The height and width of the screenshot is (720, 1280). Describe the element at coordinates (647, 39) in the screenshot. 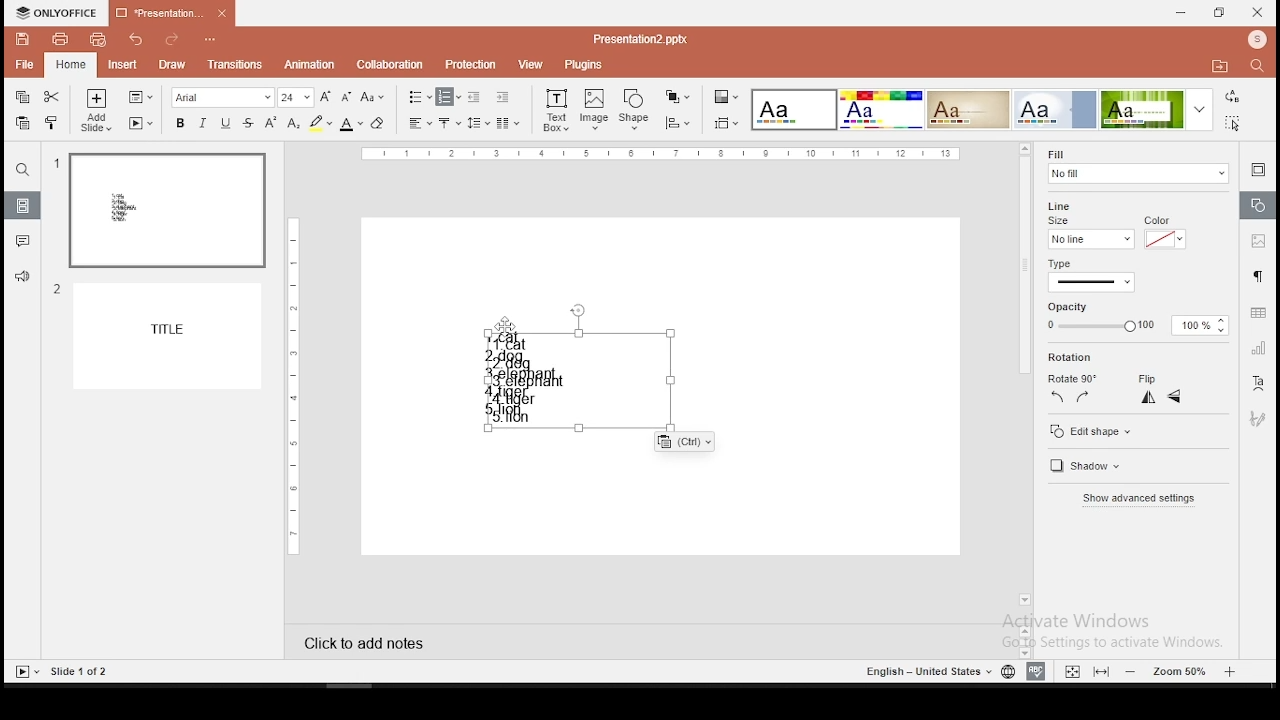

I see `Presentation2.pptx` at that location.